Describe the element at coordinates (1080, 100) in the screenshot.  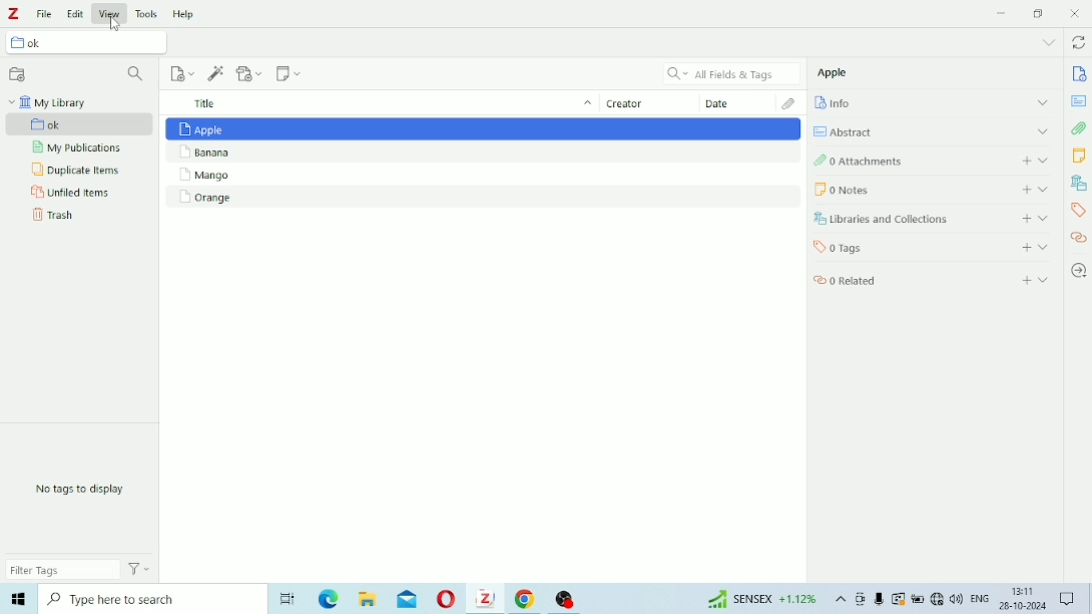
I see `Abstract` at that location.